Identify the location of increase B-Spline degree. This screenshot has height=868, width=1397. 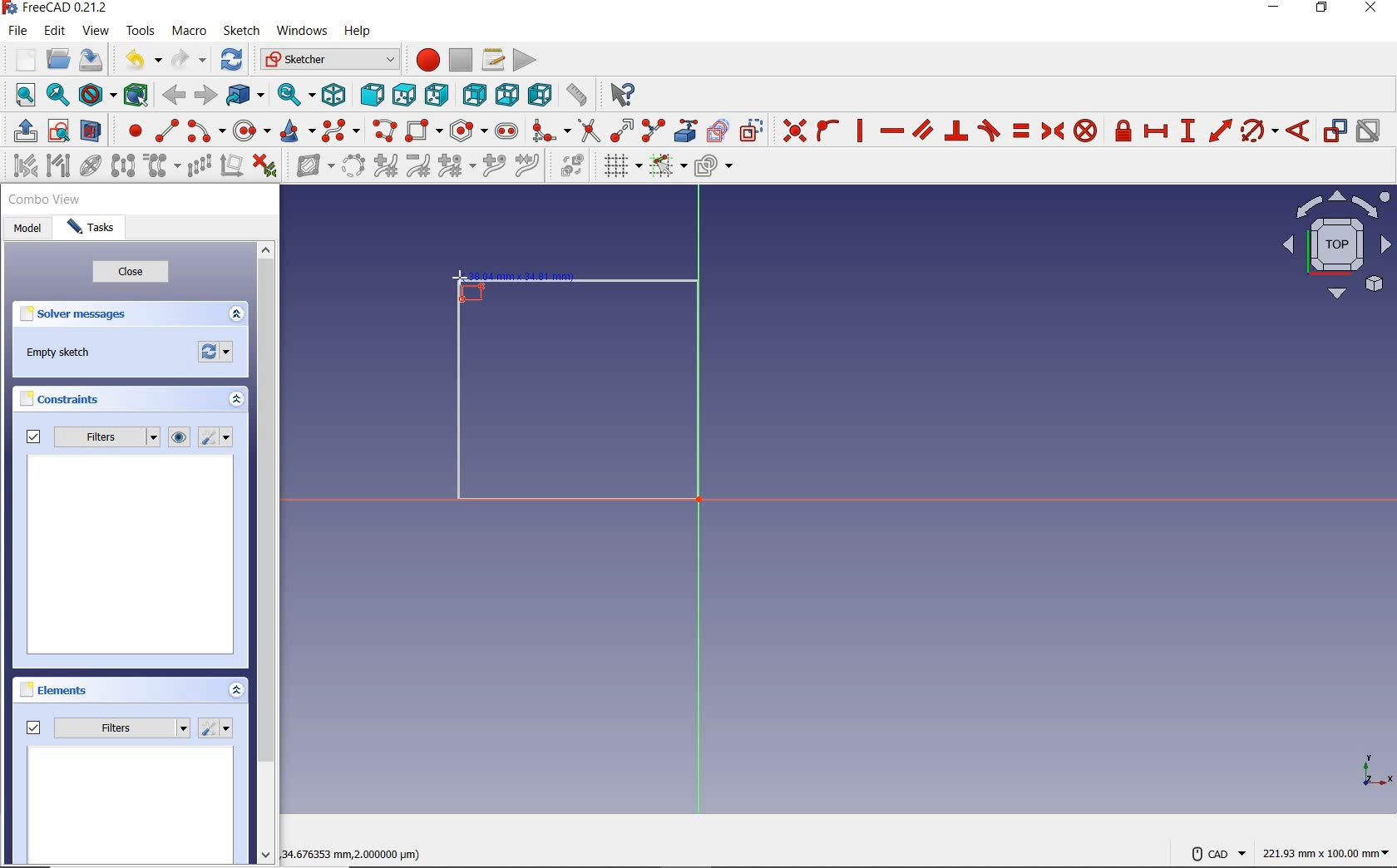
(385, 167).